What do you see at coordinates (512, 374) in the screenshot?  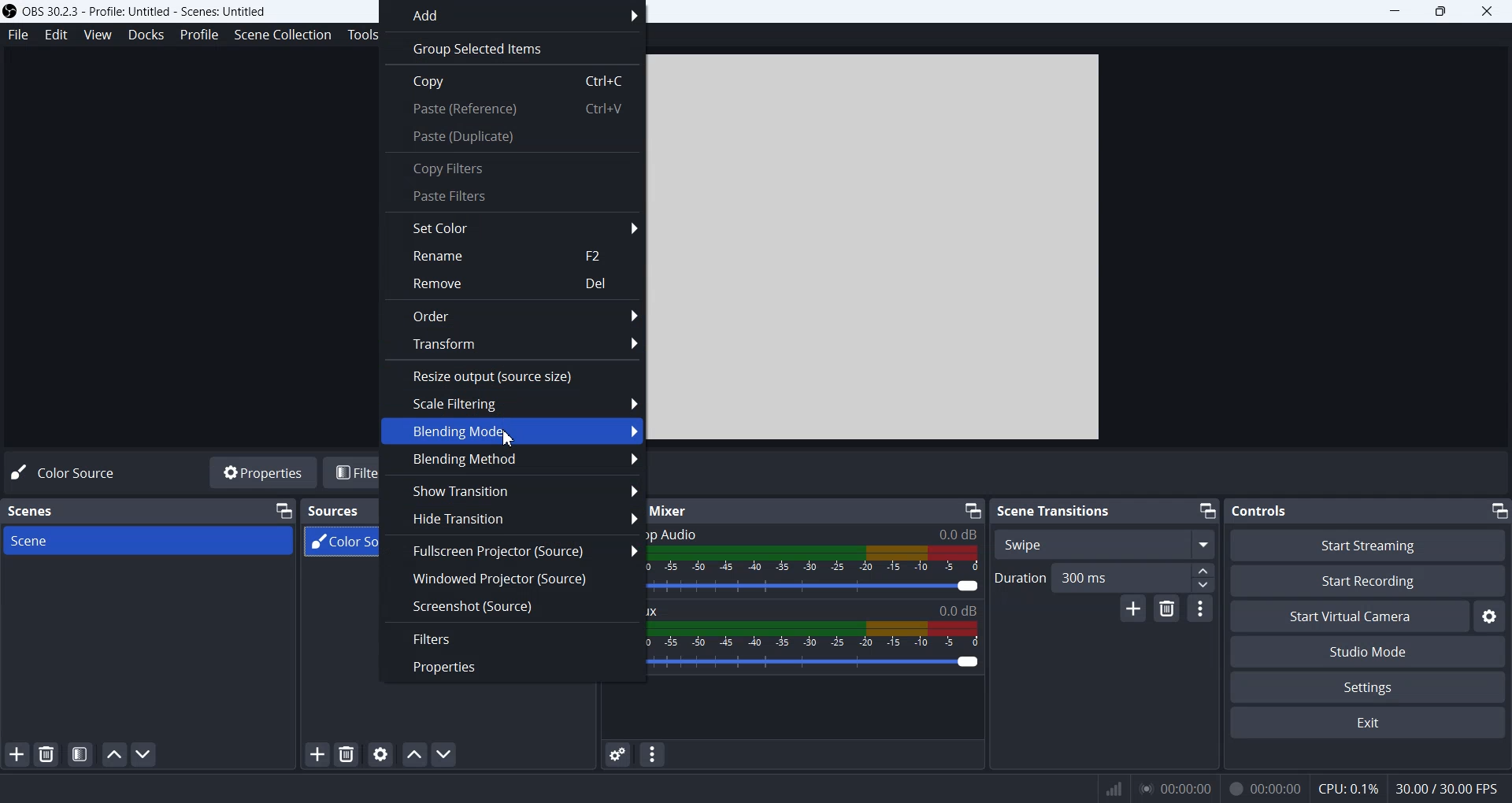 I see `Resize output (source size)` at bounding box center [512, 374].